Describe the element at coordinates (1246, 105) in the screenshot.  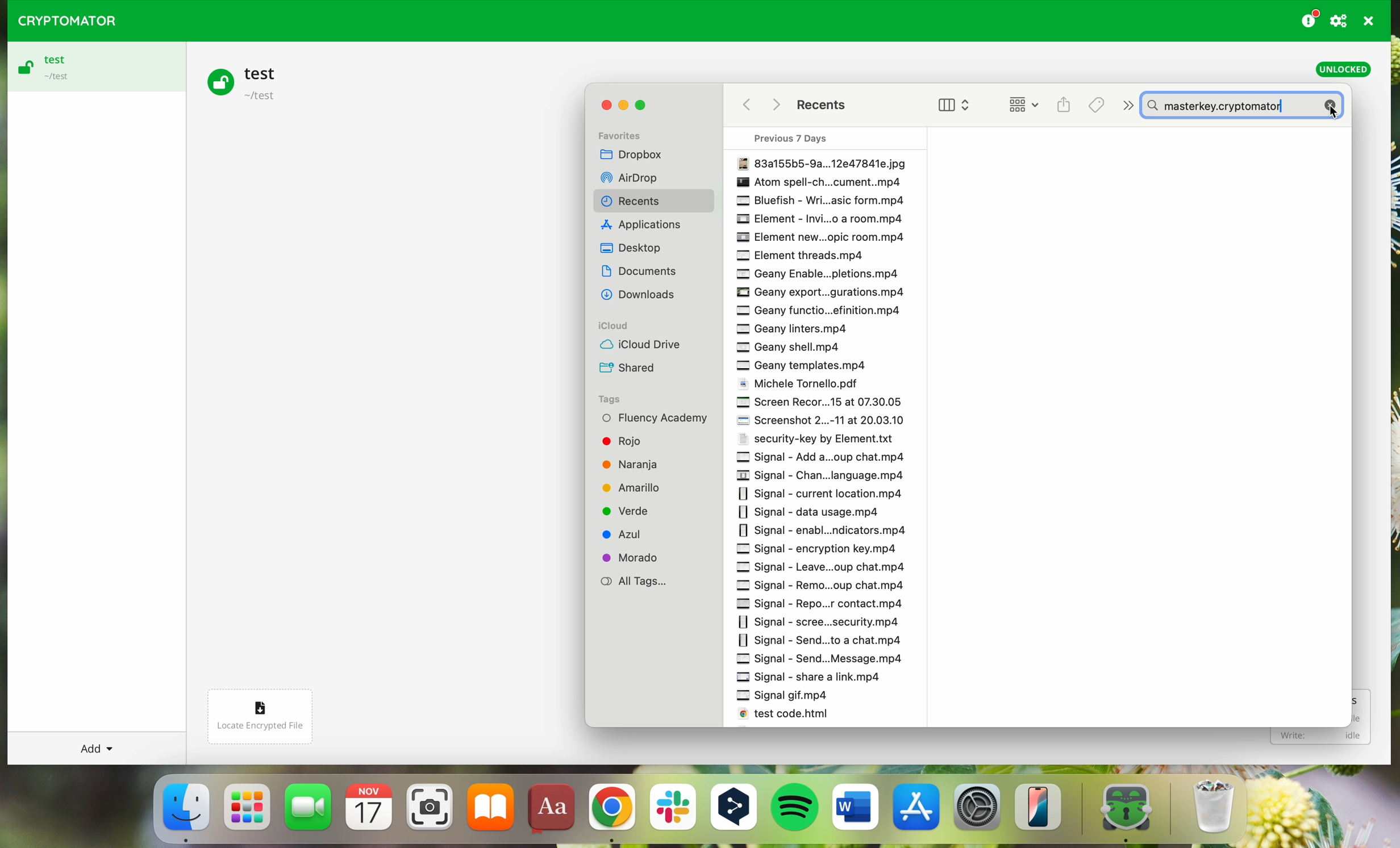
I see `masterkey.cryptomator` at that location.